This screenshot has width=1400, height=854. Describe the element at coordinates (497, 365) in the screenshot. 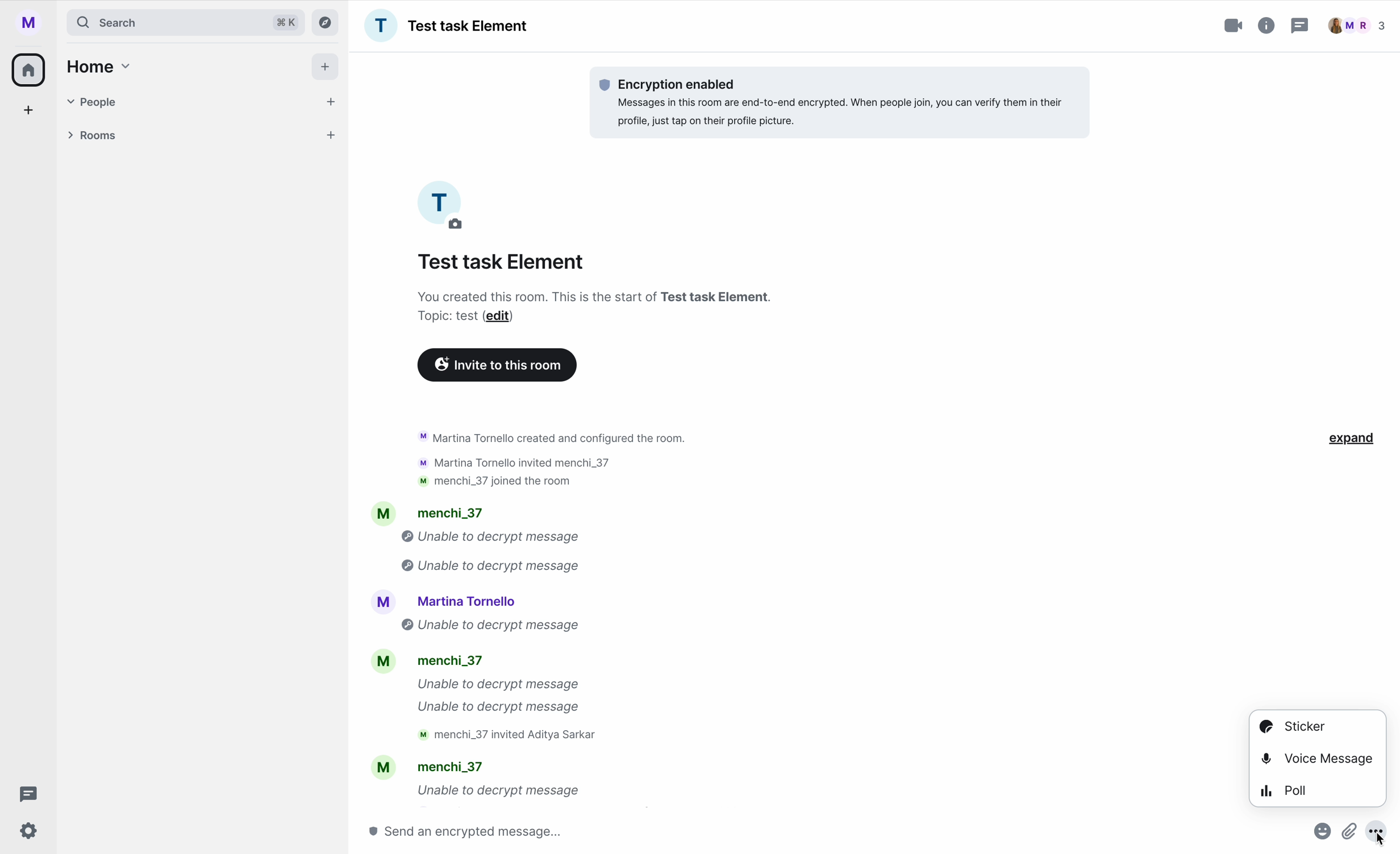

I see `invite to this room button` at that location.